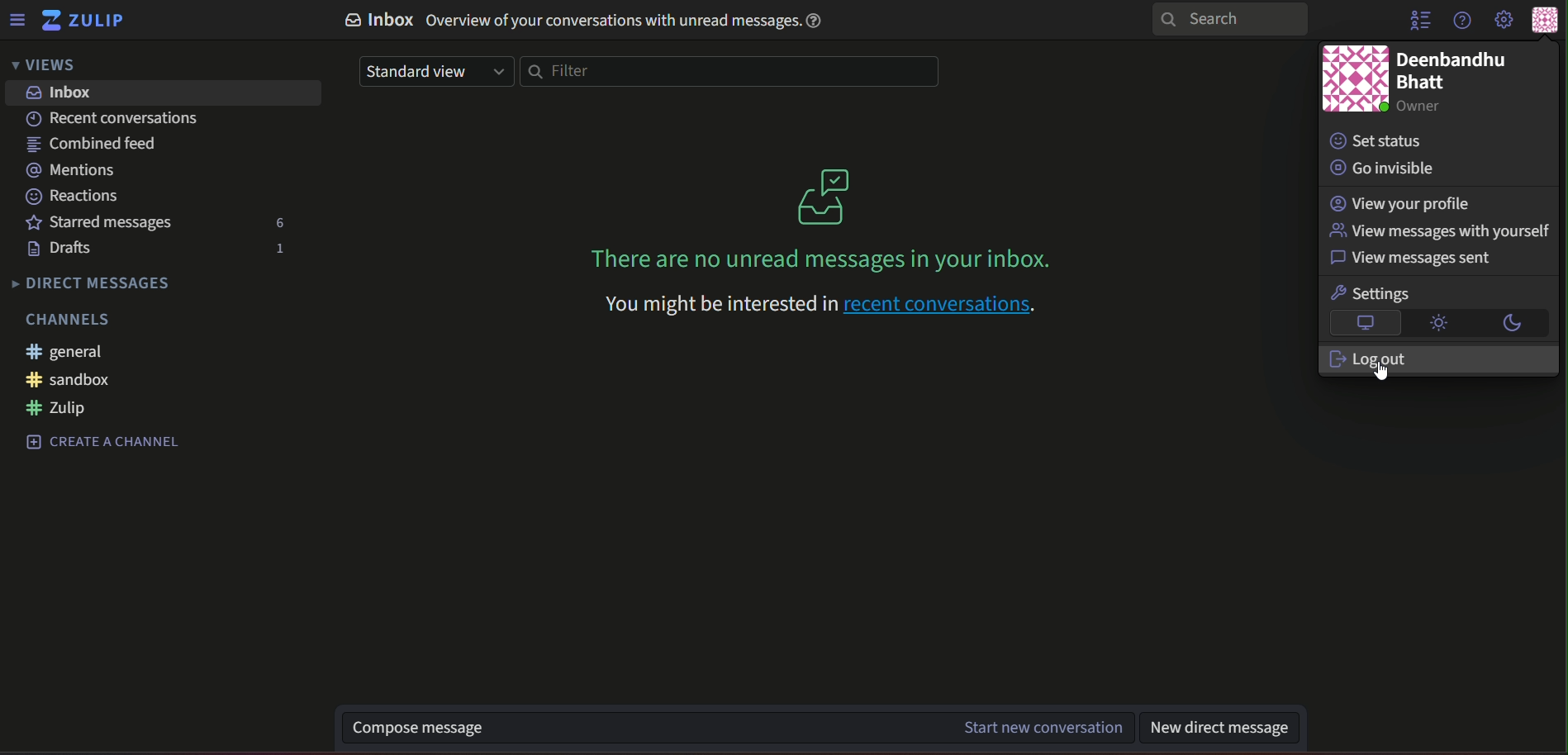 Image resolution: width=1568 pixels, height=755 pixels. I want to click on hide menu, so click(1415, 21).